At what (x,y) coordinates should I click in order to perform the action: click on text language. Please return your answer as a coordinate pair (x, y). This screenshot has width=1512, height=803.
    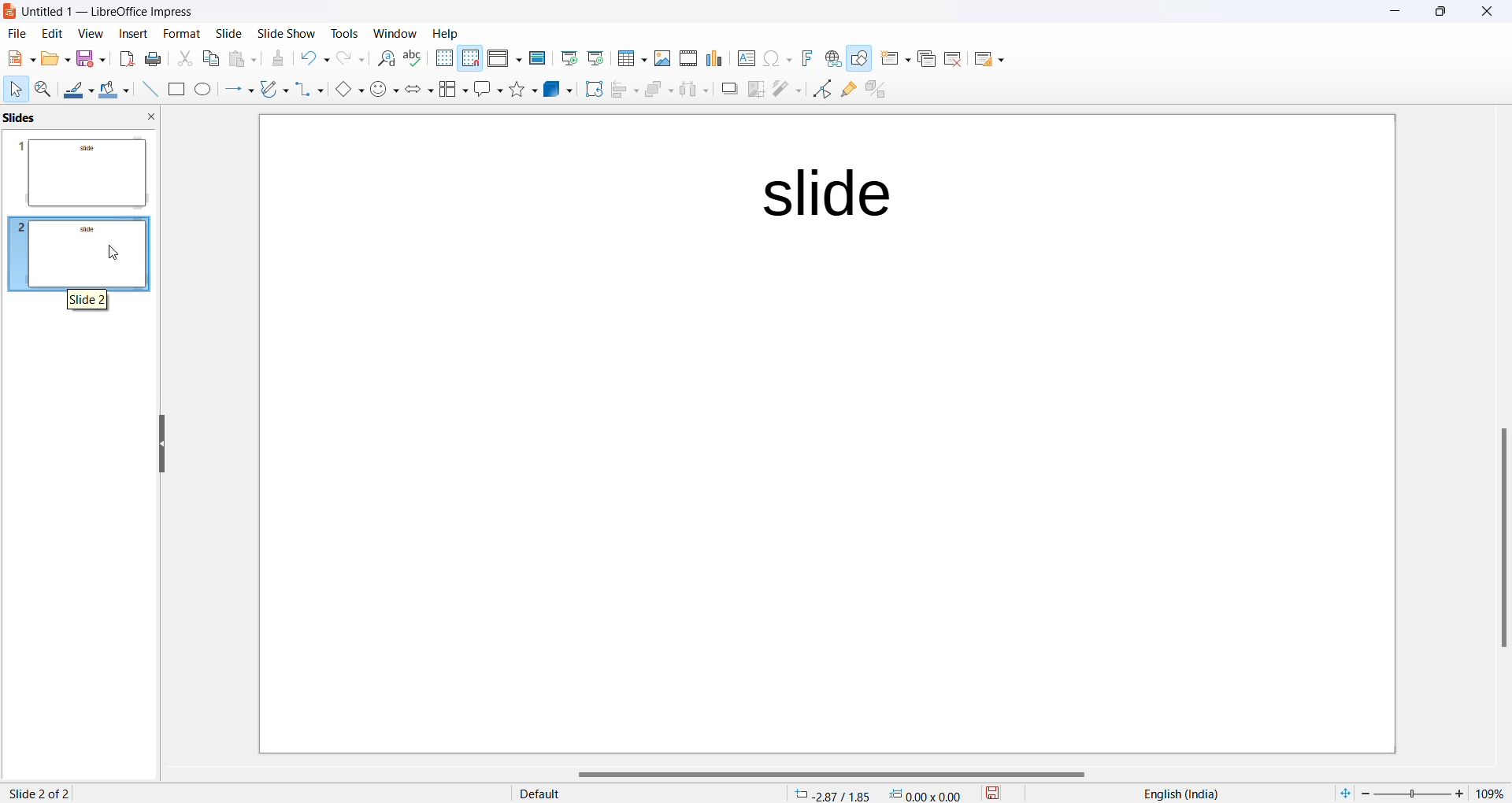
    Looking at the image, I should click on (1185, 793).